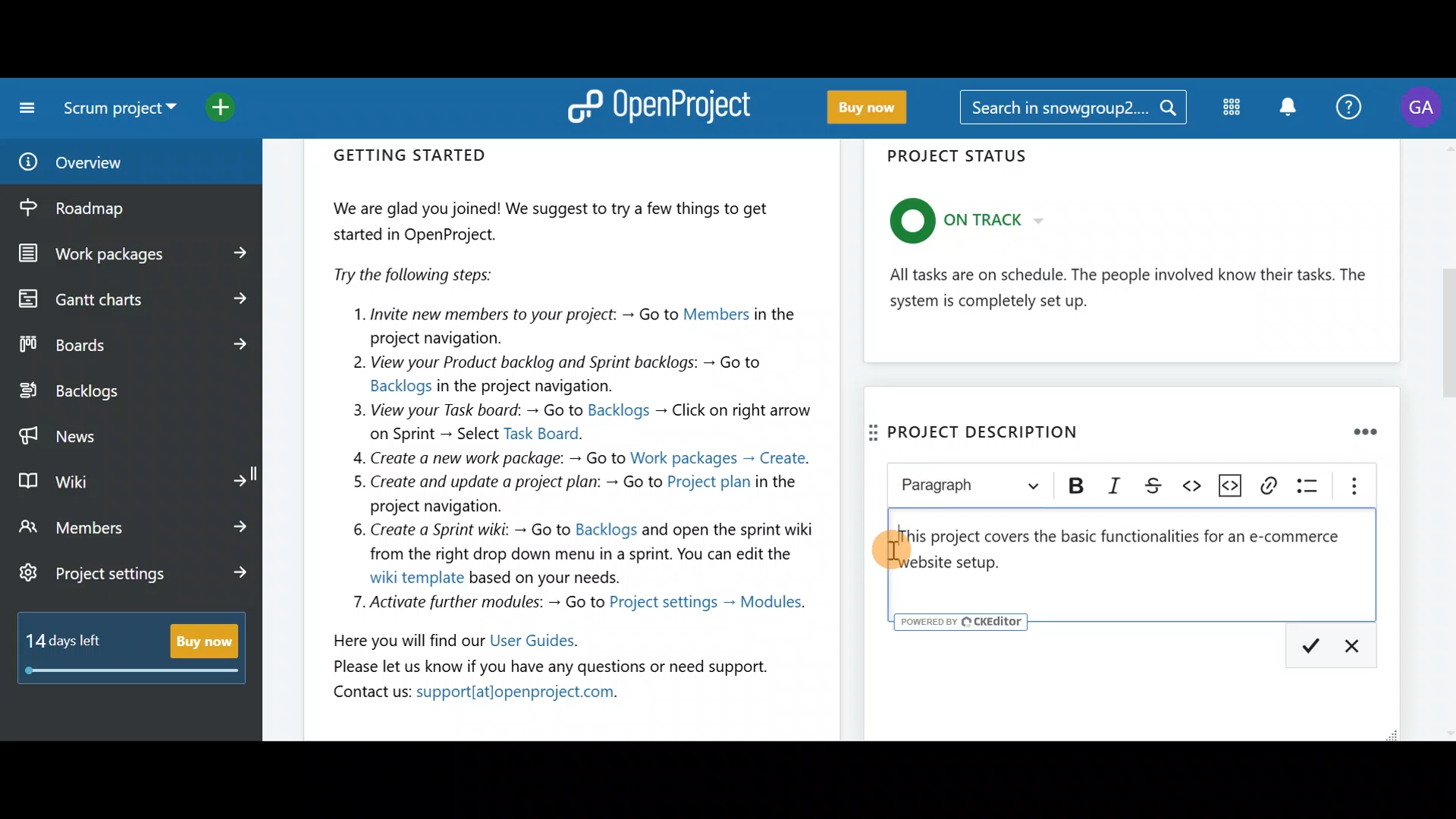 The image size is (1456, 819). I want to click on Heading, so click(972, 488).